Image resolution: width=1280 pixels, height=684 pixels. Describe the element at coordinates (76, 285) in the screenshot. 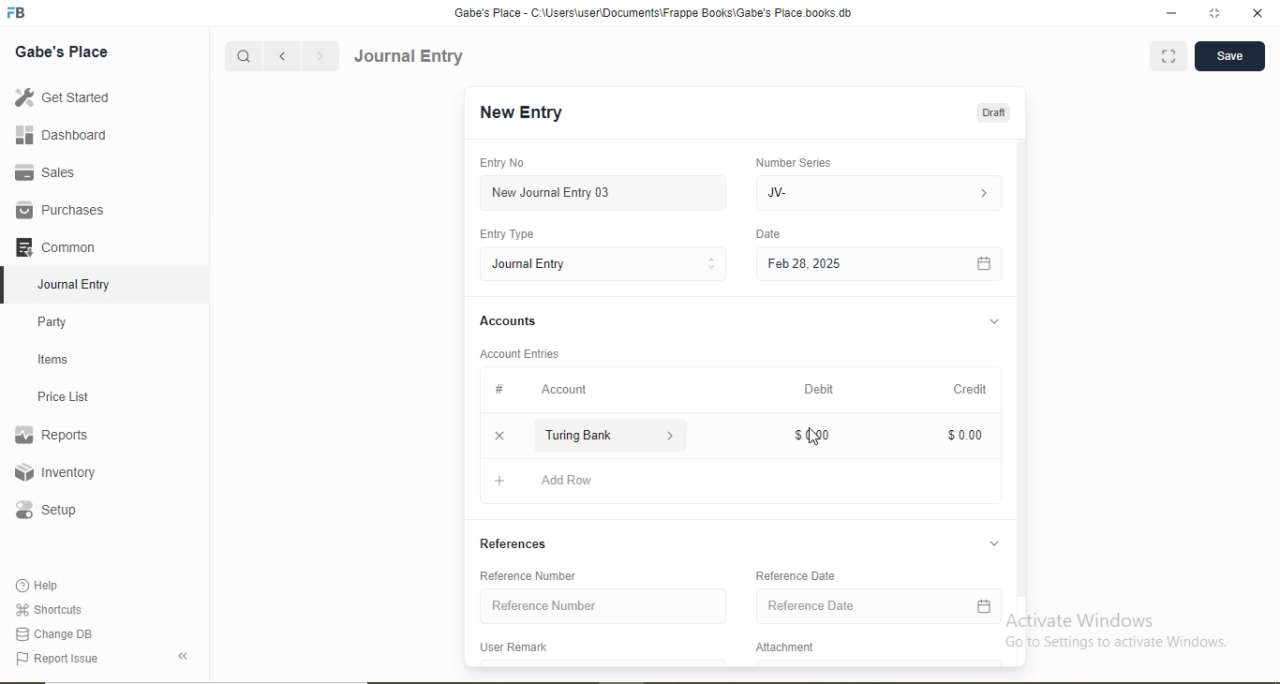

I see `Journal Entry` at that location.